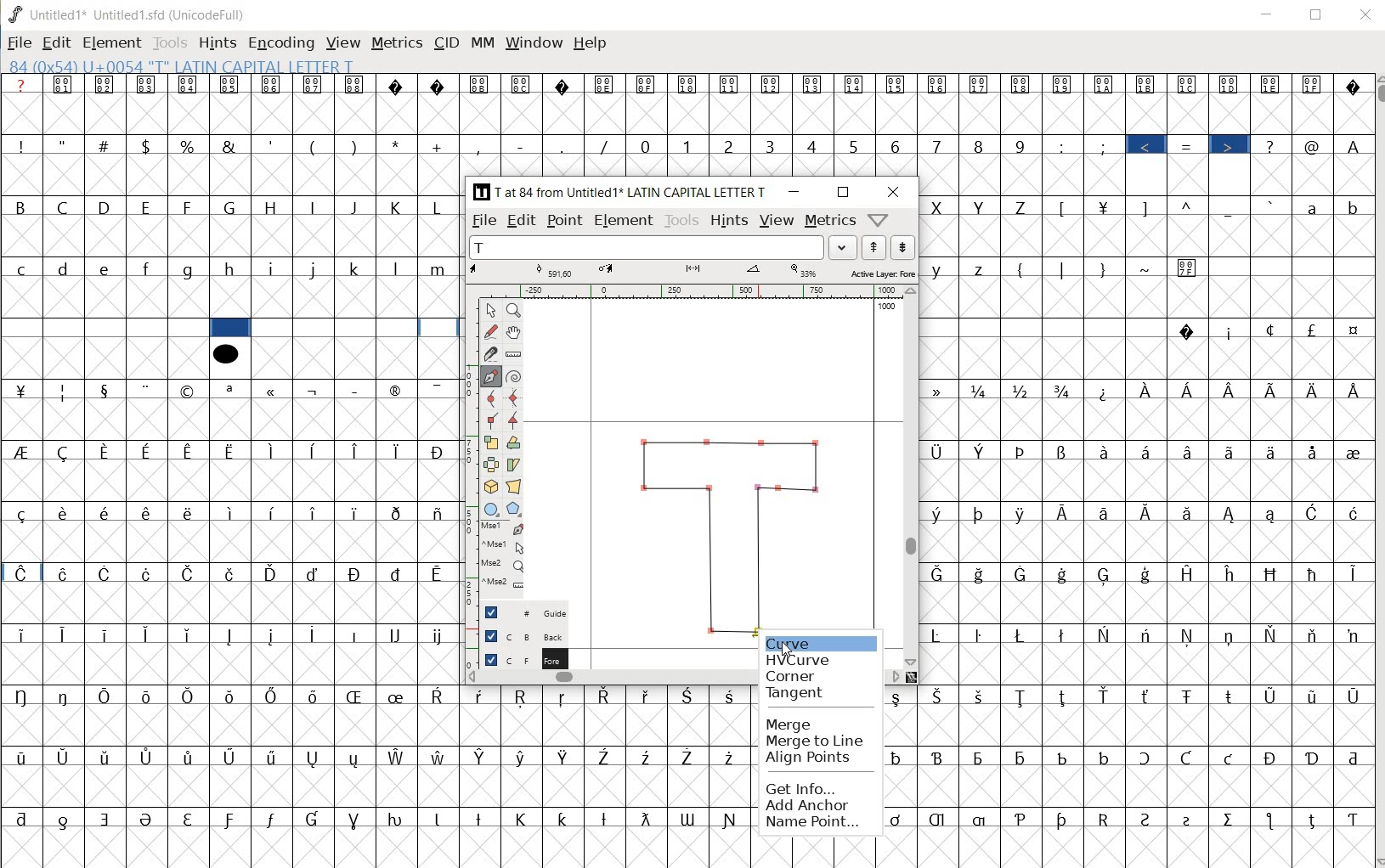 The height and width of the screenshot is (868, 1385). Describe the element at coordinates (1314, 206) in the screenshot. I see `a` at that location.